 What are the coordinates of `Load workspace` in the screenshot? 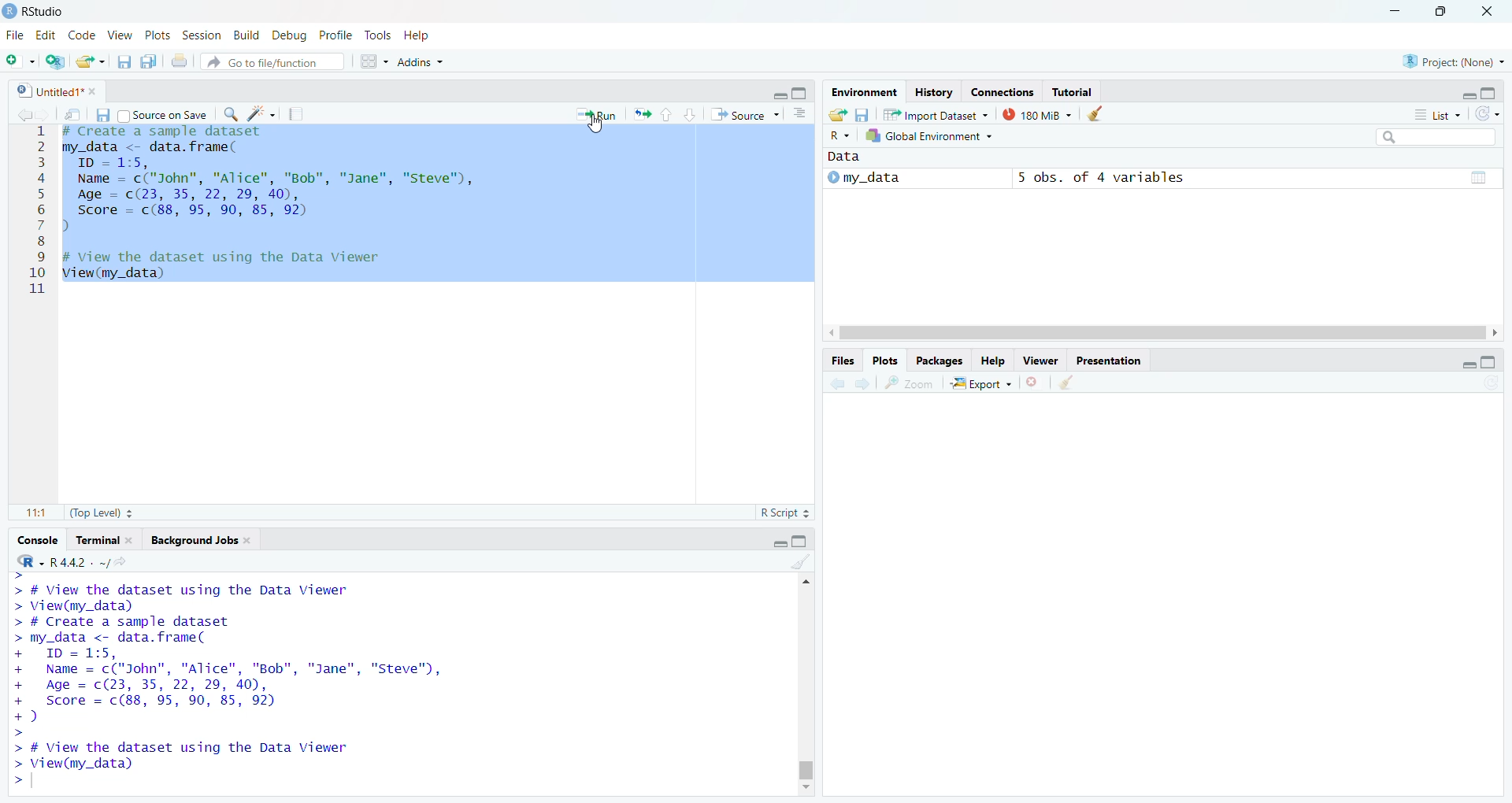 It's located at (840, 116).